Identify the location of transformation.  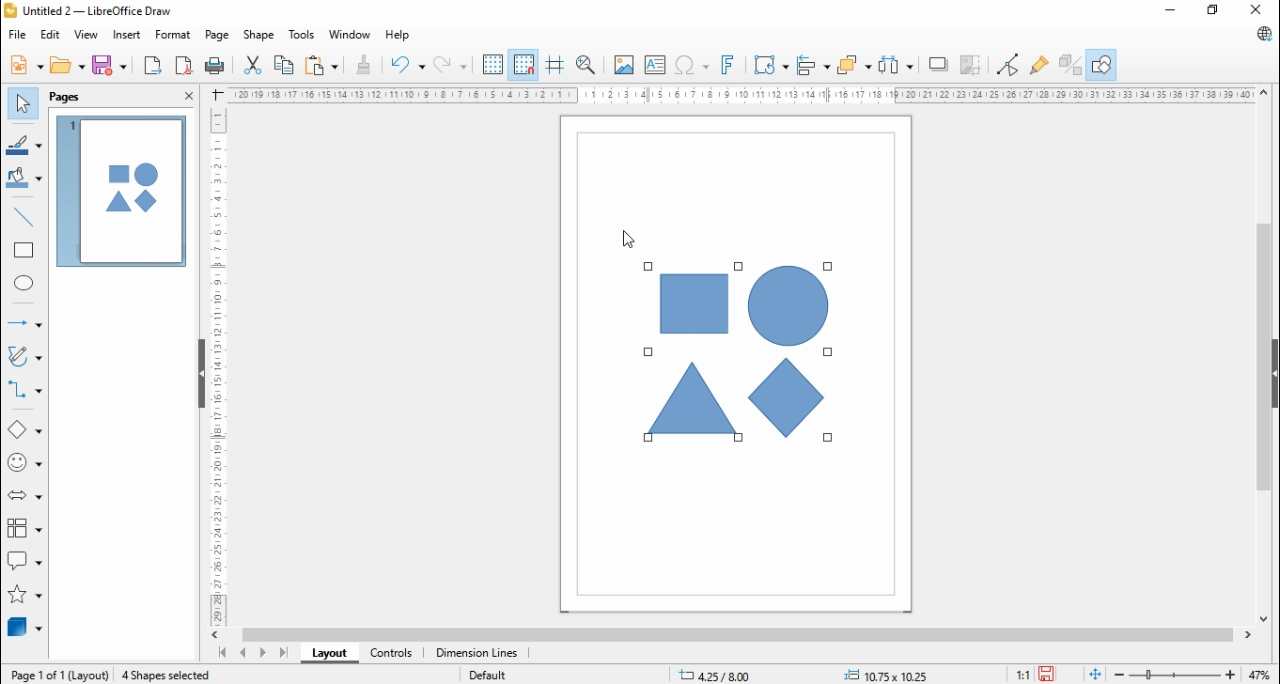
(771, 64).